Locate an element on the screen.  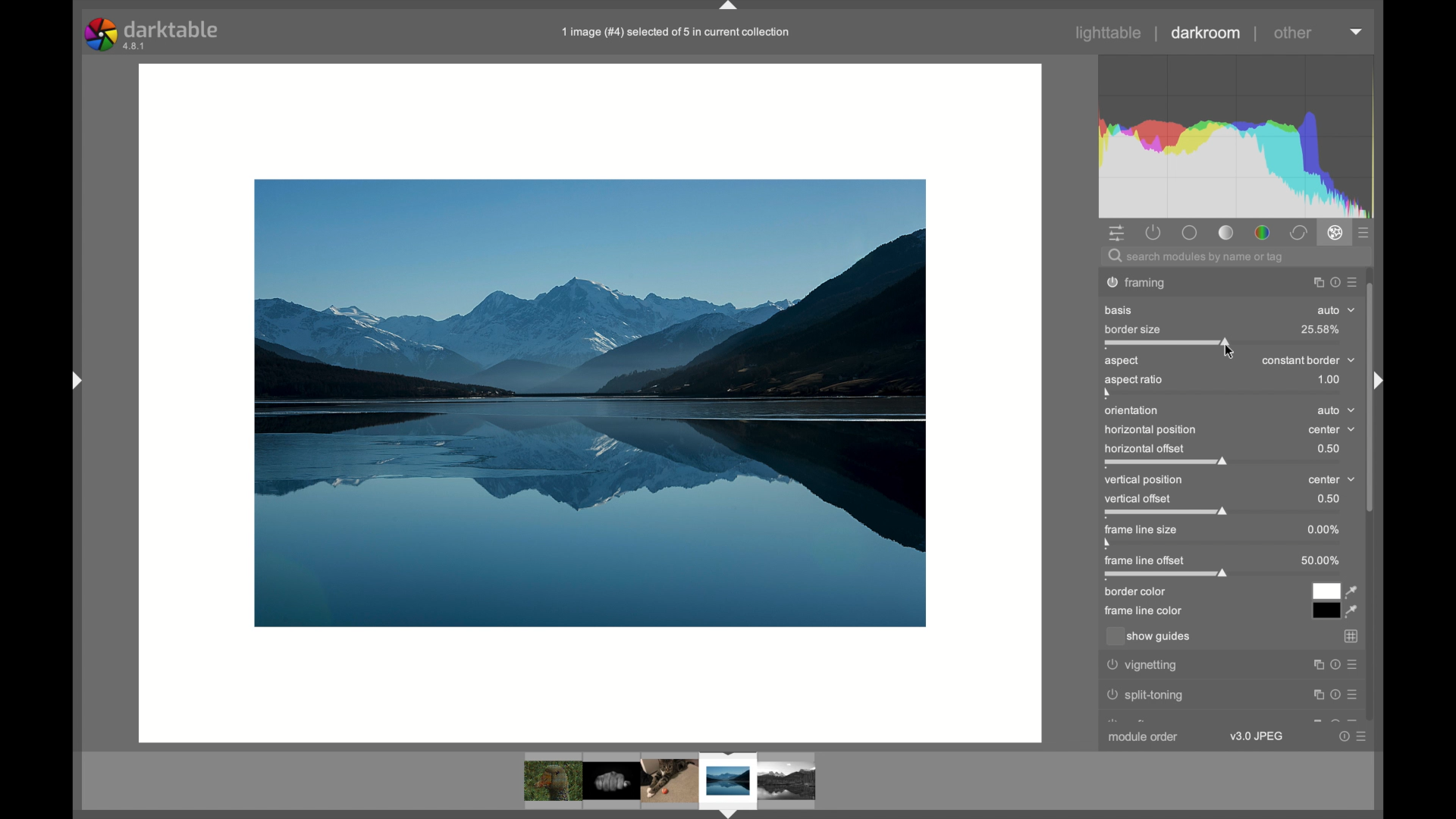
1.0 is located at coordinates (1330, 381).